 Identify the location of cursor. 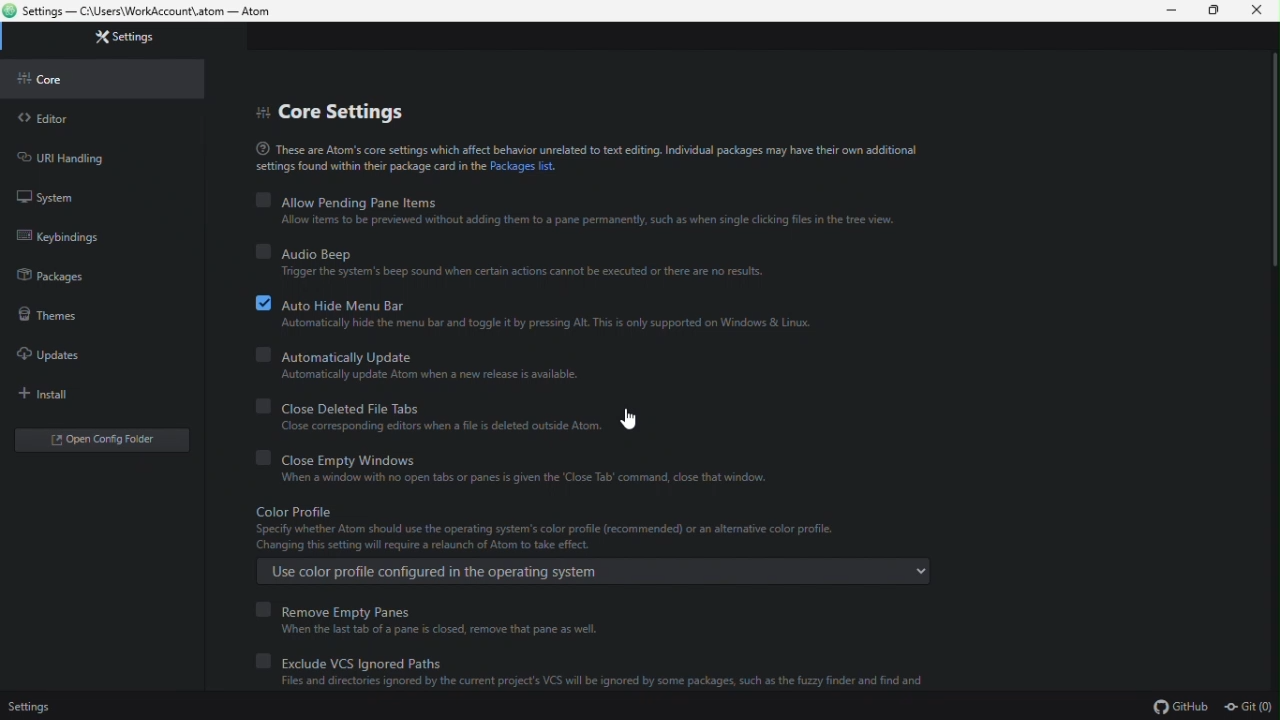
(631, 422).